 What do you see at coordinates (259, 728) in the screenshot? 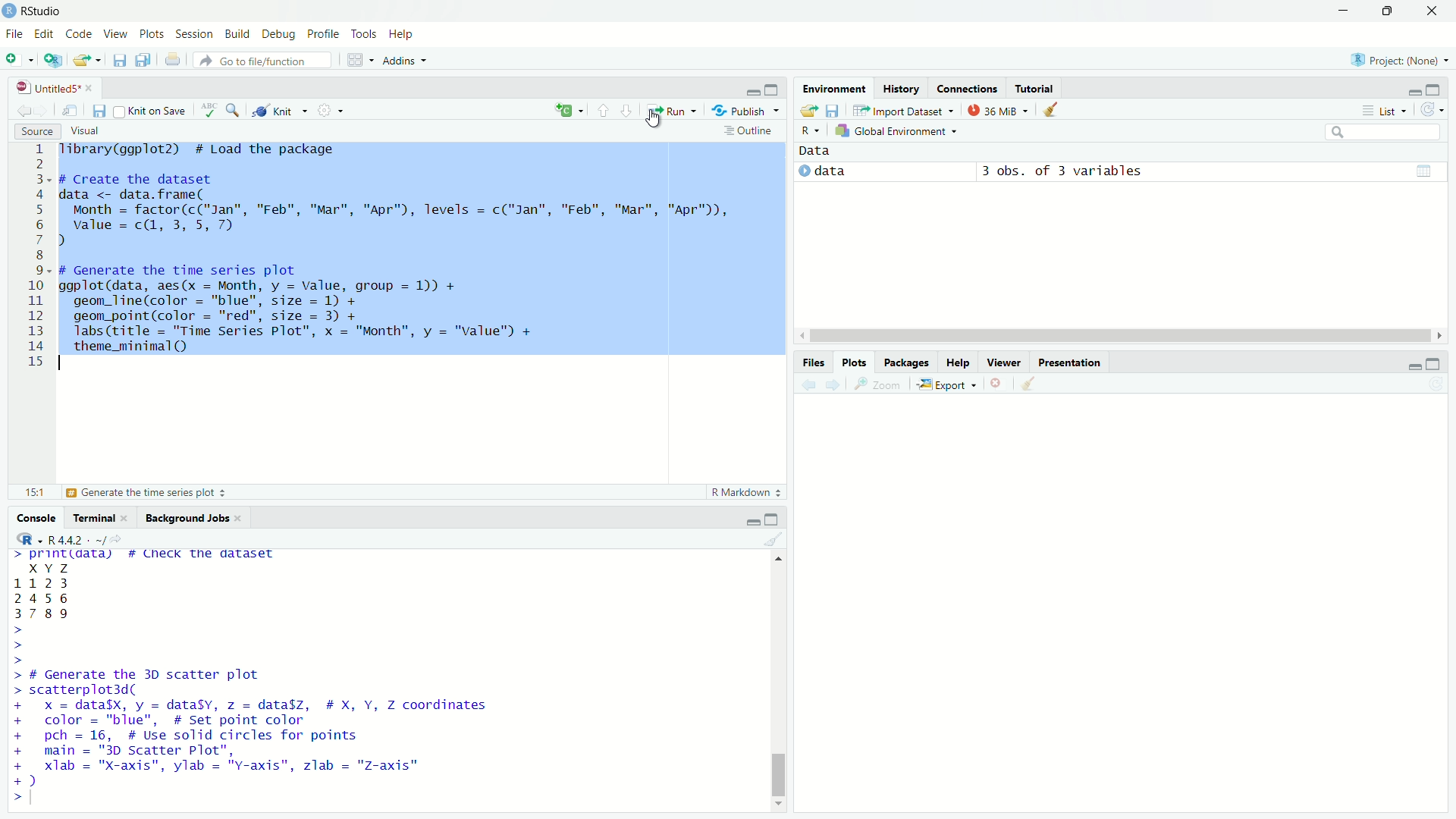
I see `code to generate the 3d scatter plot` at bounding box center [259, 728].